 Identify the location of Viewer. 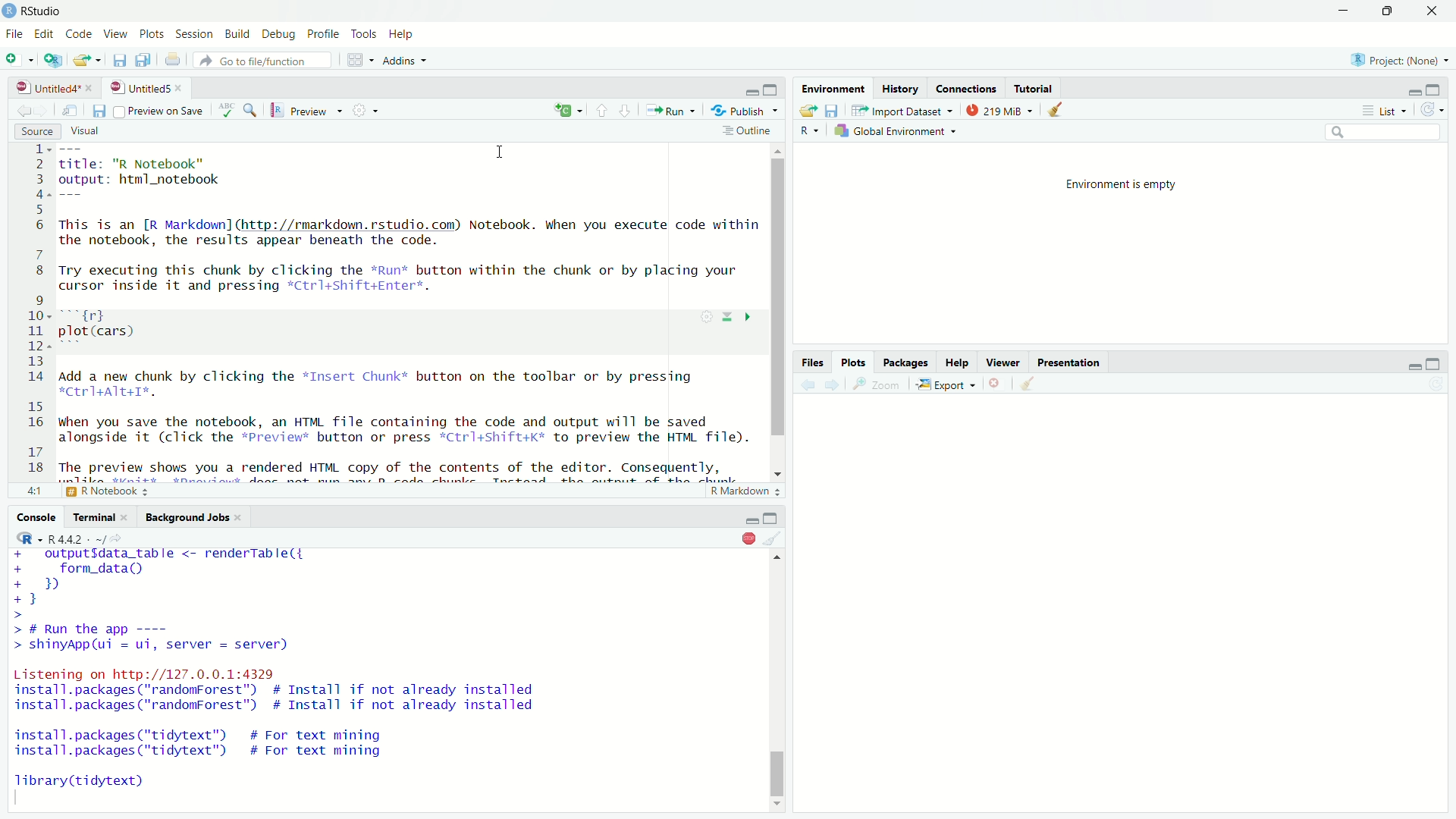
(1002, 362).